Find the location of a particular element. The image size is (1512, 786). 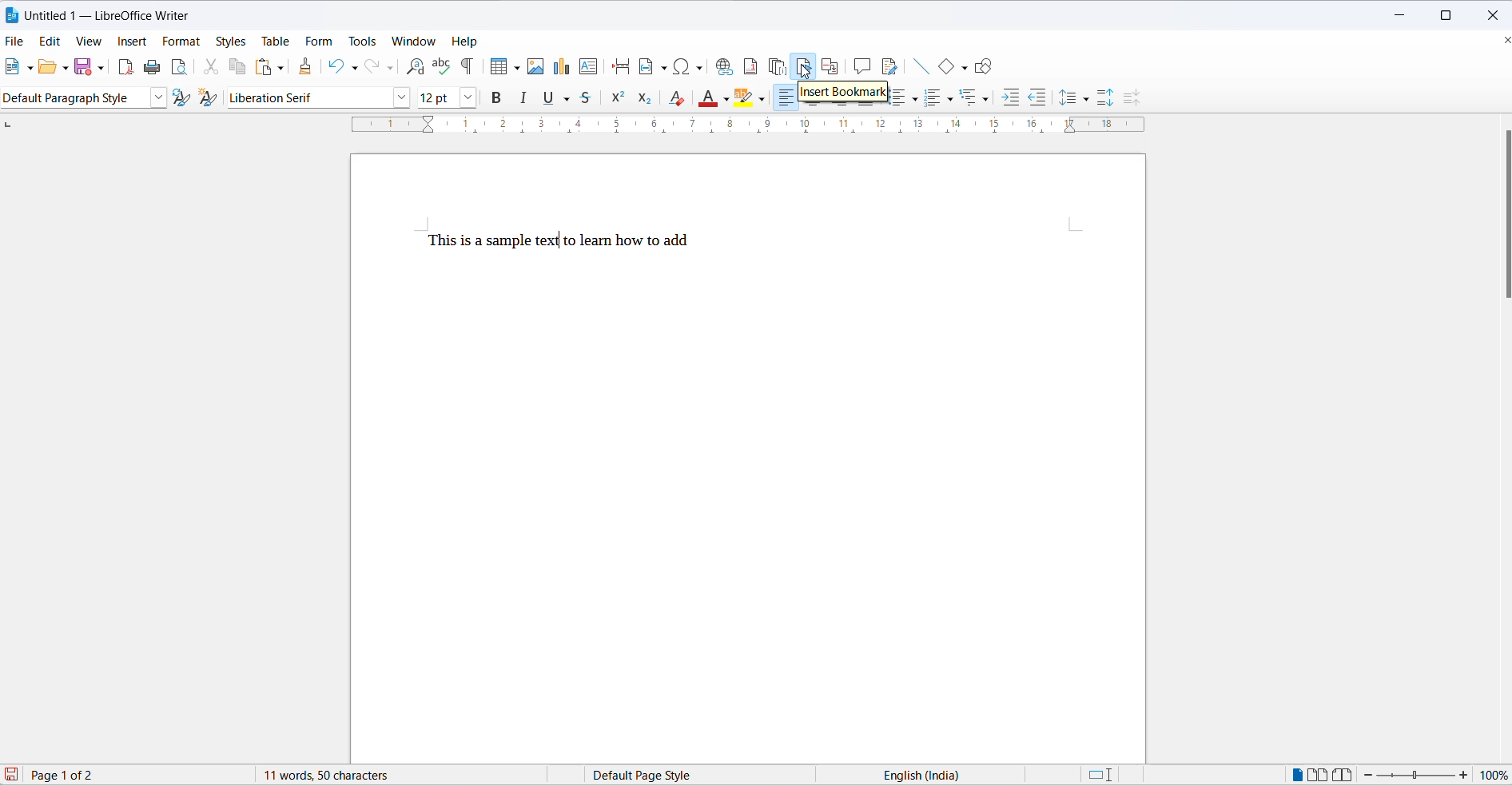

export as pdf is located at coordinates (127, 69).